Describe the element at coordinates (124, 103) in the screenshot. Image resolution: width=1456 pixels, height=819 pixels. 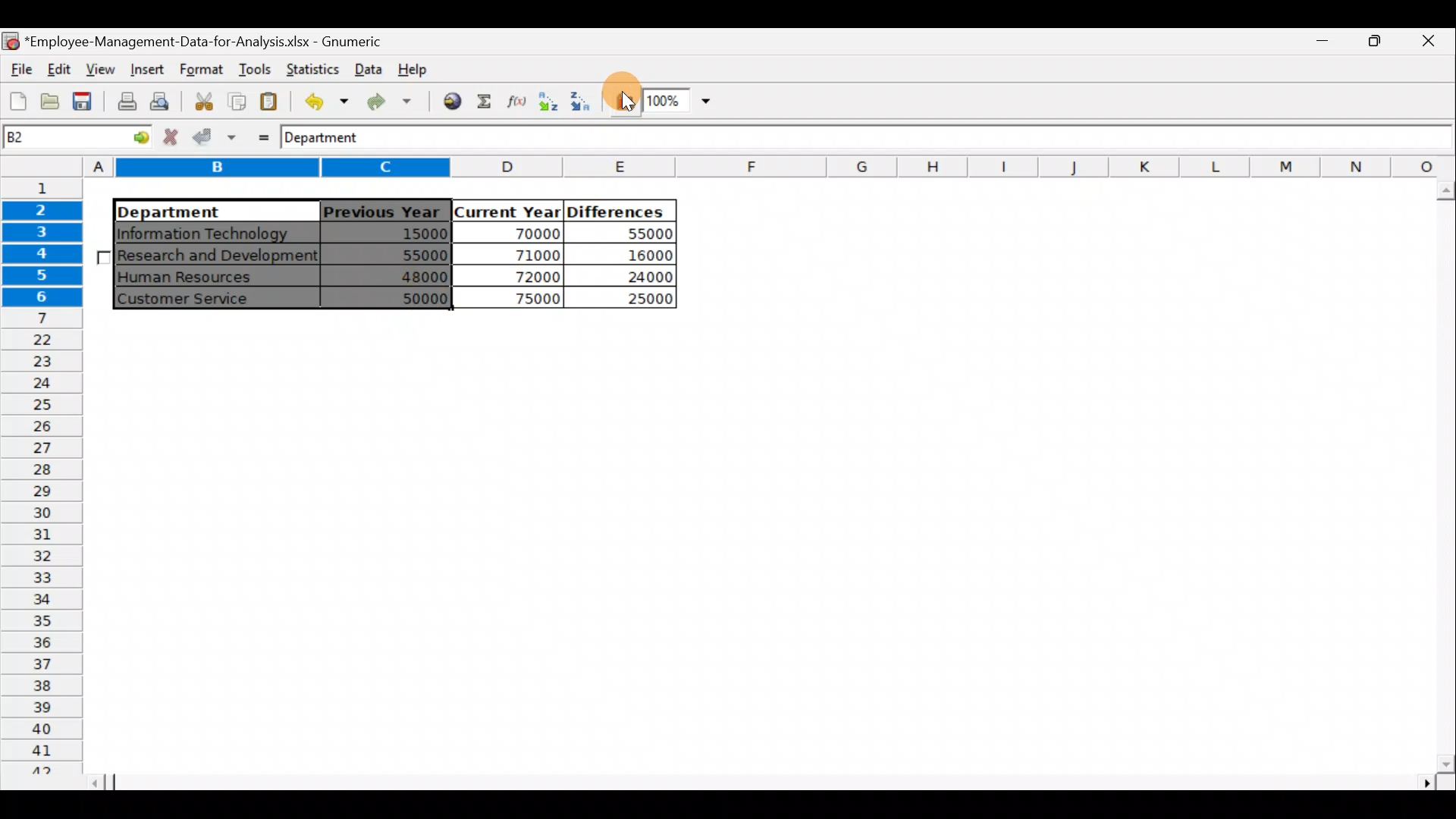
I see `Print current file` at that location.